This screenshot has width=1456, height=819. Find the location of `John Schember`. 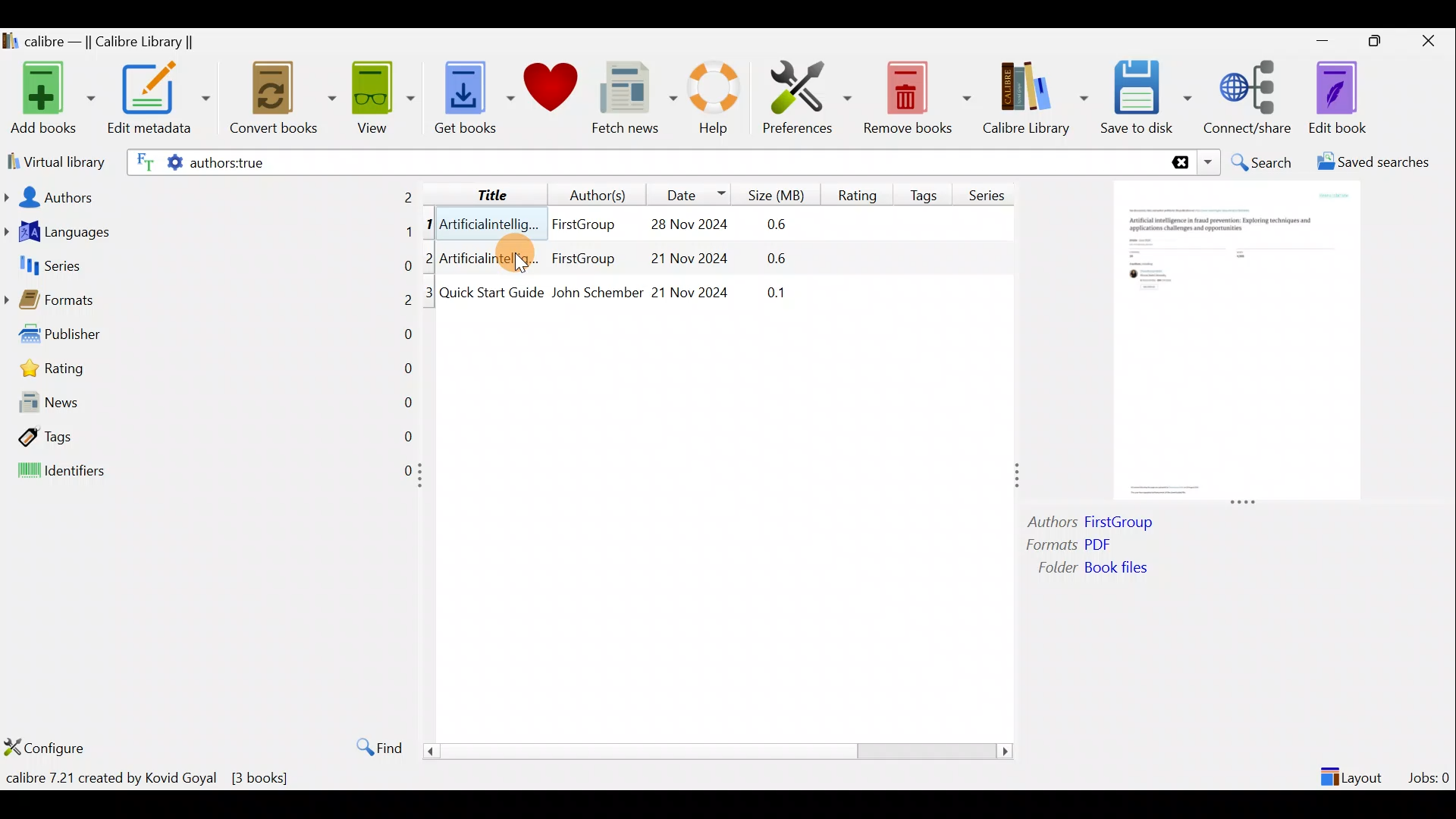

John Schember is located at coordinates (596, 293).